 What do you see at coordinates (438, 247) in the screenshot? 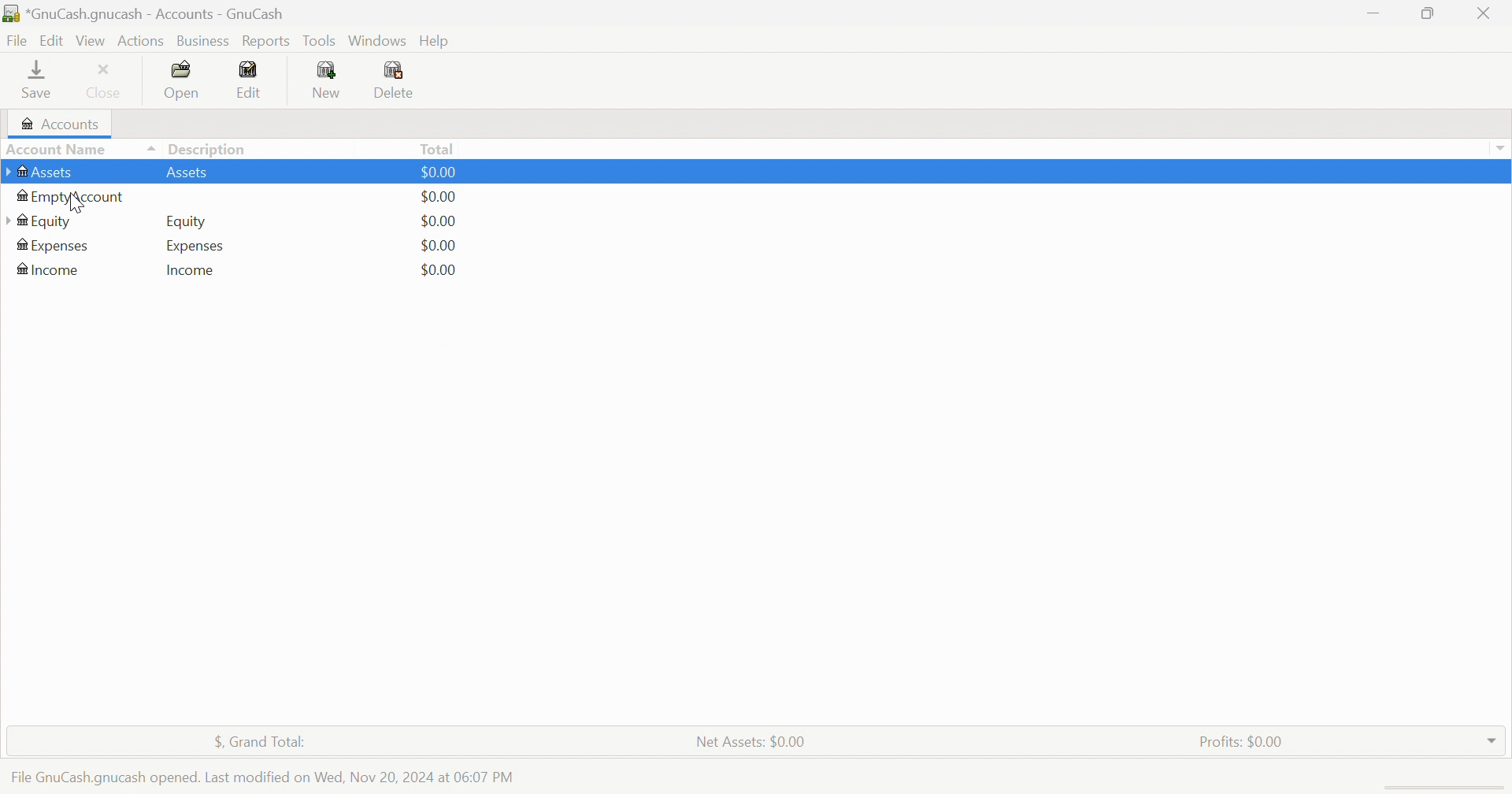
I see `$0.00` at bounding box center [438, 247].